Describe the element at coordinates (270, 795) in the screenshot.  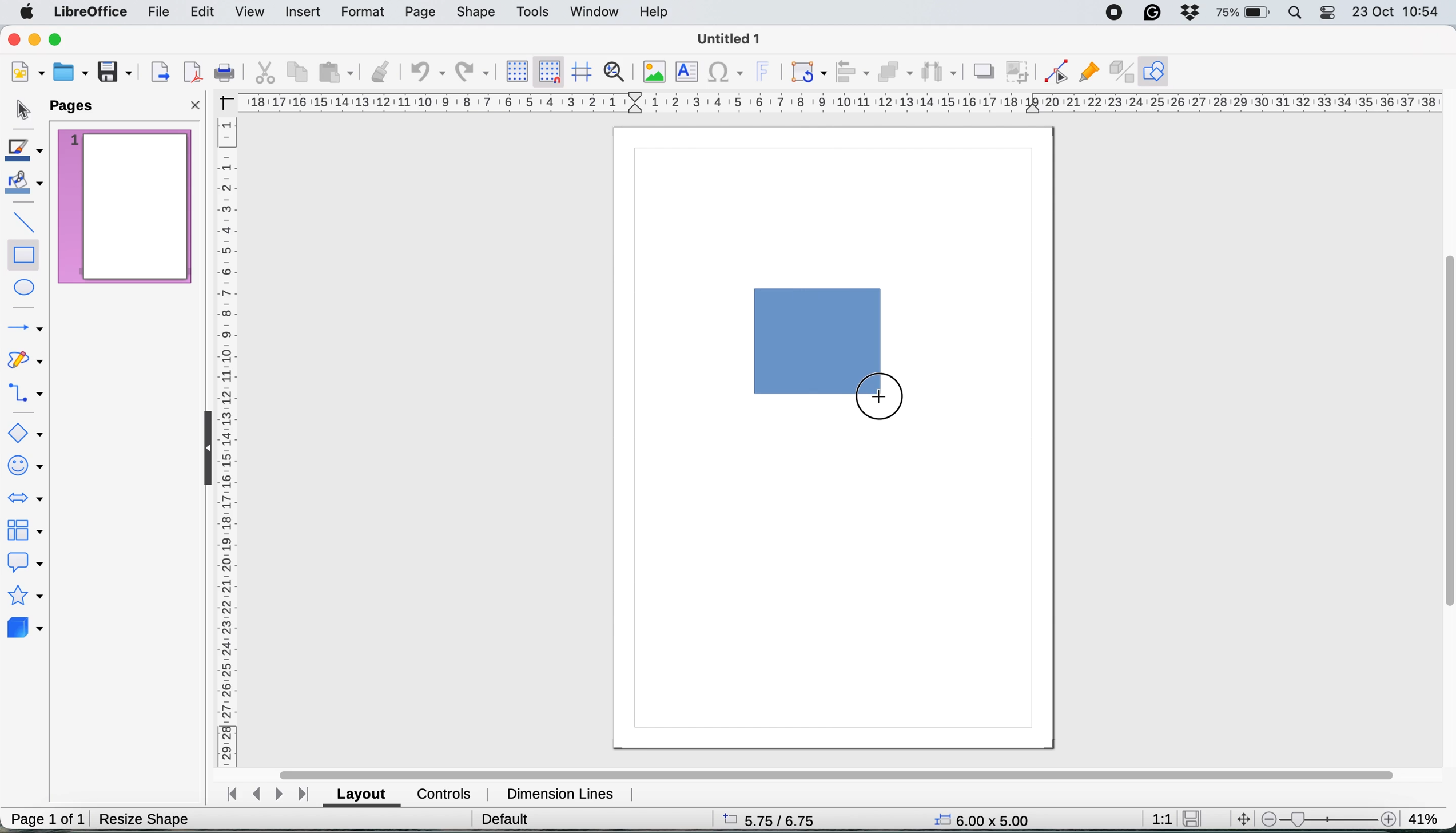
I see `navigate between sheets` at that location.